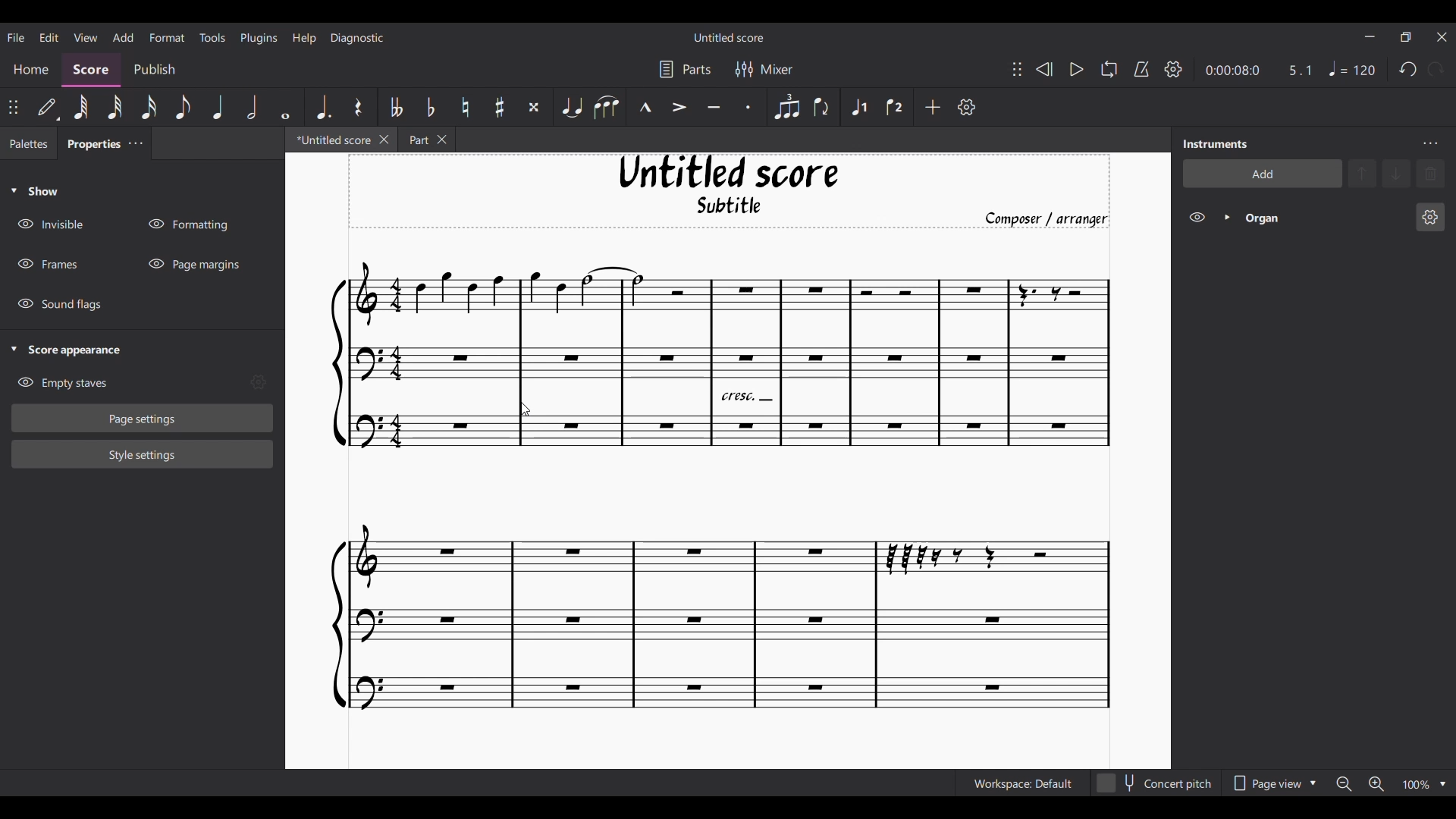  Describe the element at coordinates (61, 304) in the screenshot. I see `Hide Sound flags` at that location.